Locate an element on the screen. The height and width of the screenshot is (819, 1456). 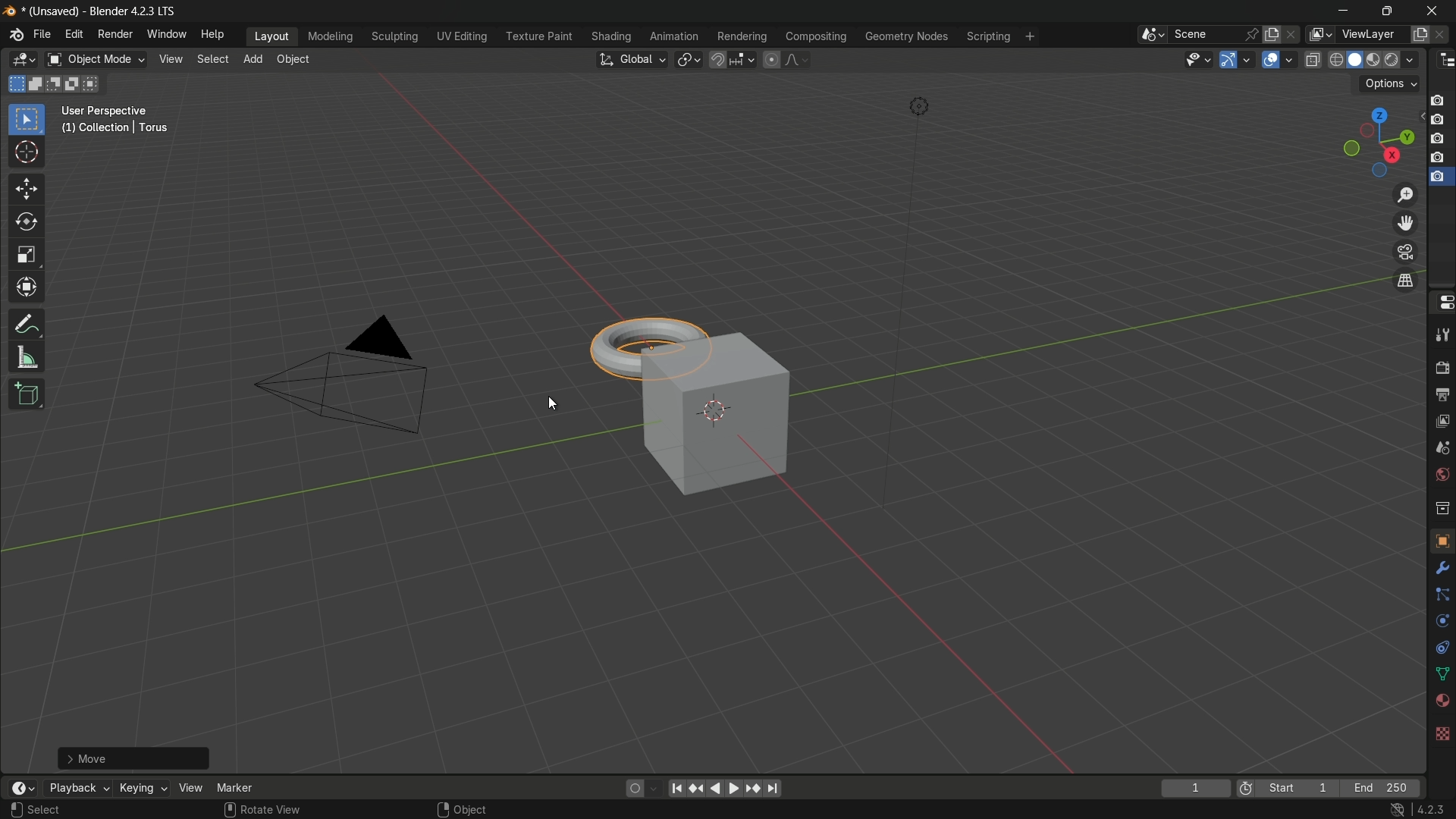
material preview is located at coordinates (1403, 60).